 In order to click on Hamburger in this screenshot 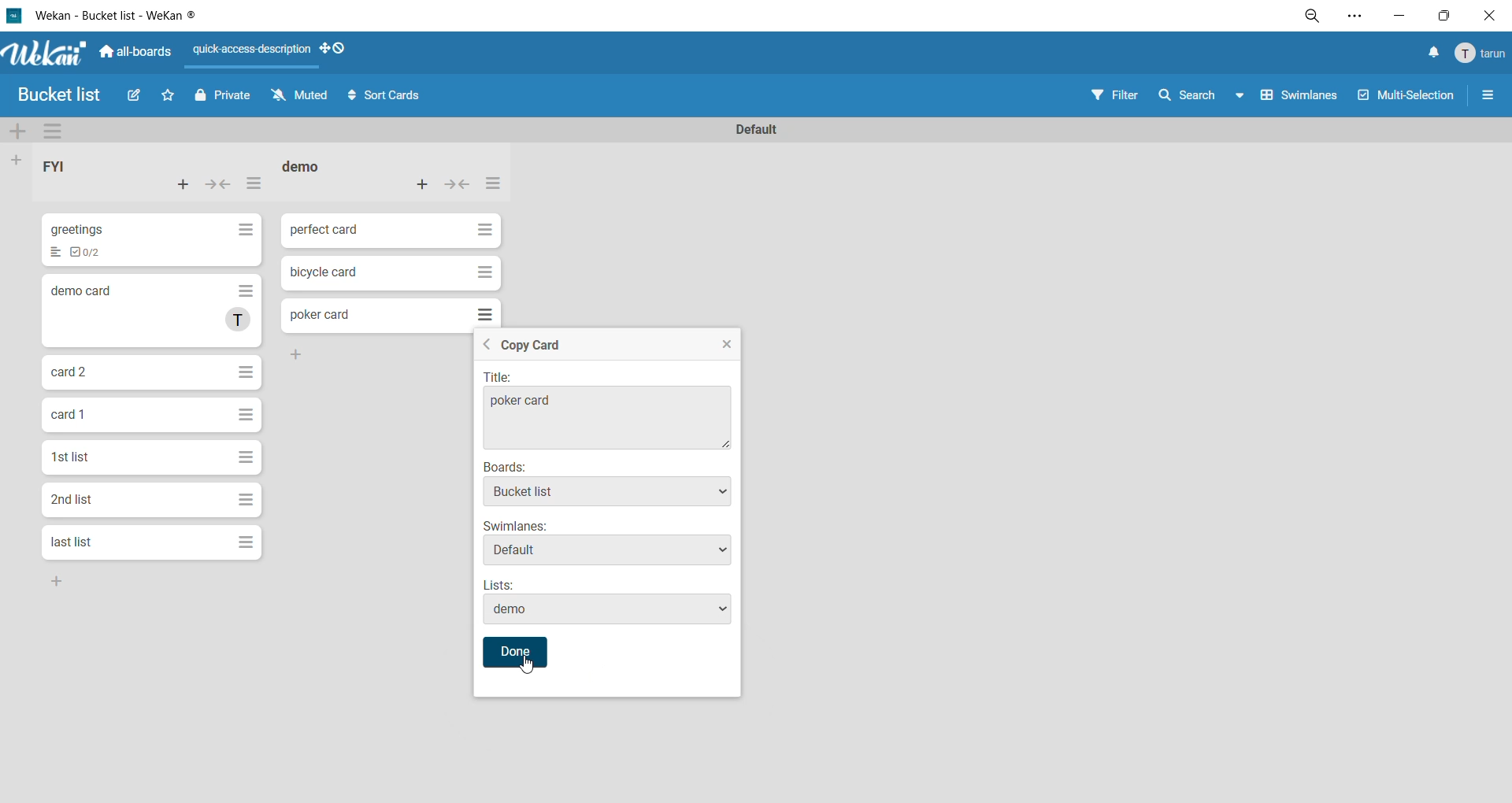, I will do `click(245, 459)`.